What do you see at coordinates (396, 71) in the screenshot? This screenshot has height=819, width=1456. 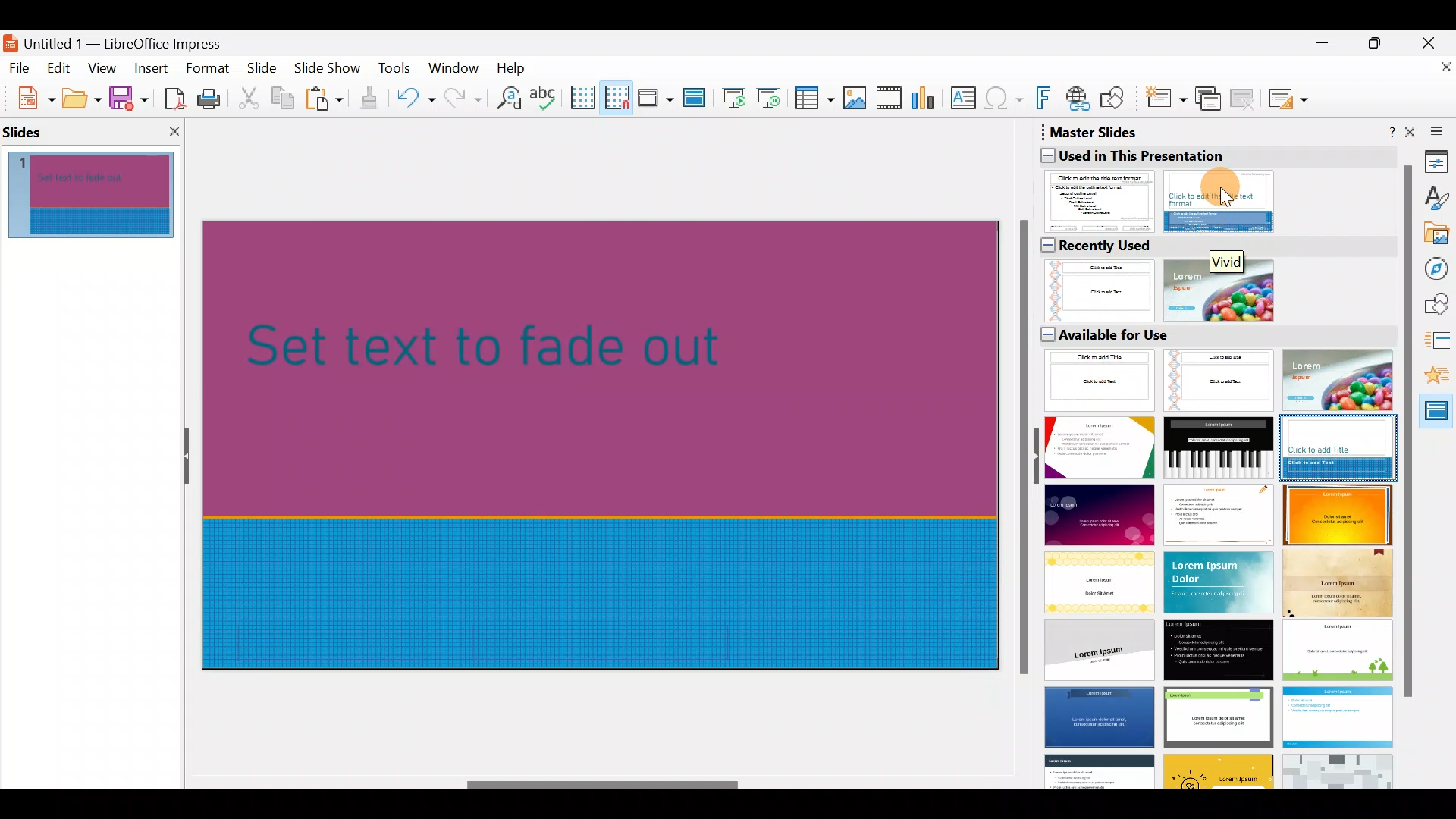 I see `Tools` at bounding box center [396, 71].